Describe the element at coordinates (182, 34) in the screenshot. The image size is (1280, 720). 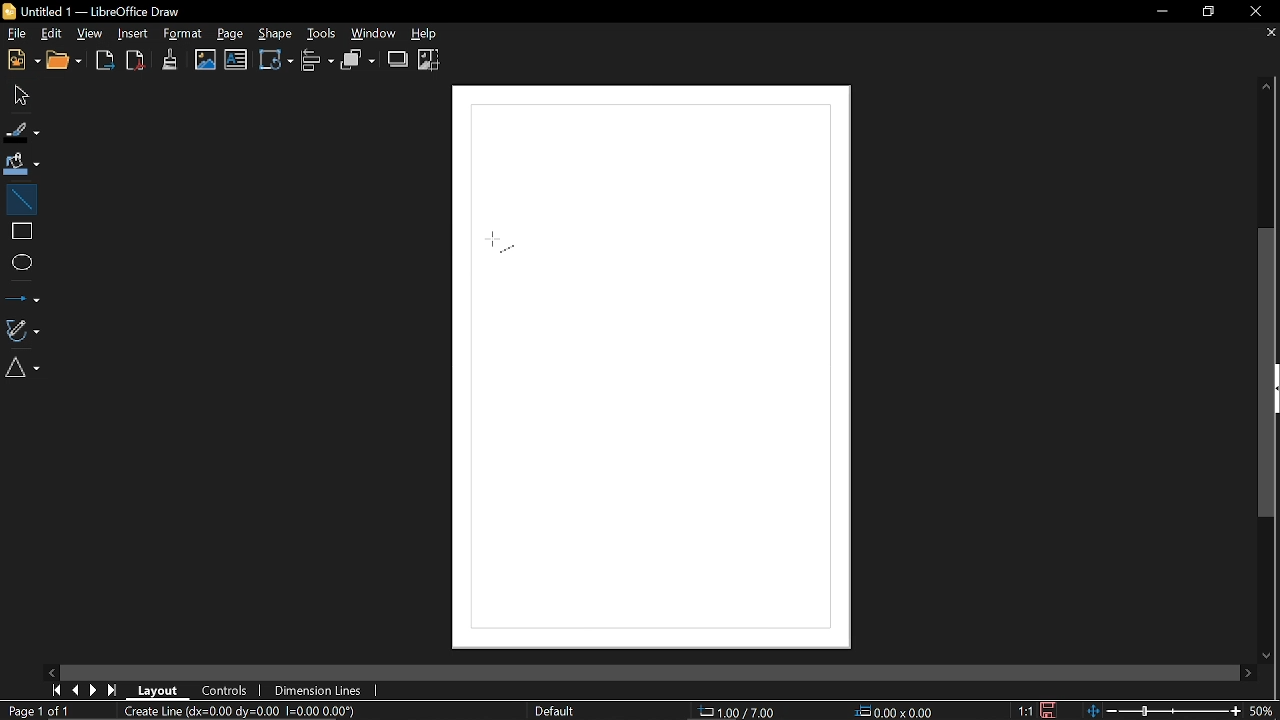
I see `Format` at that location.